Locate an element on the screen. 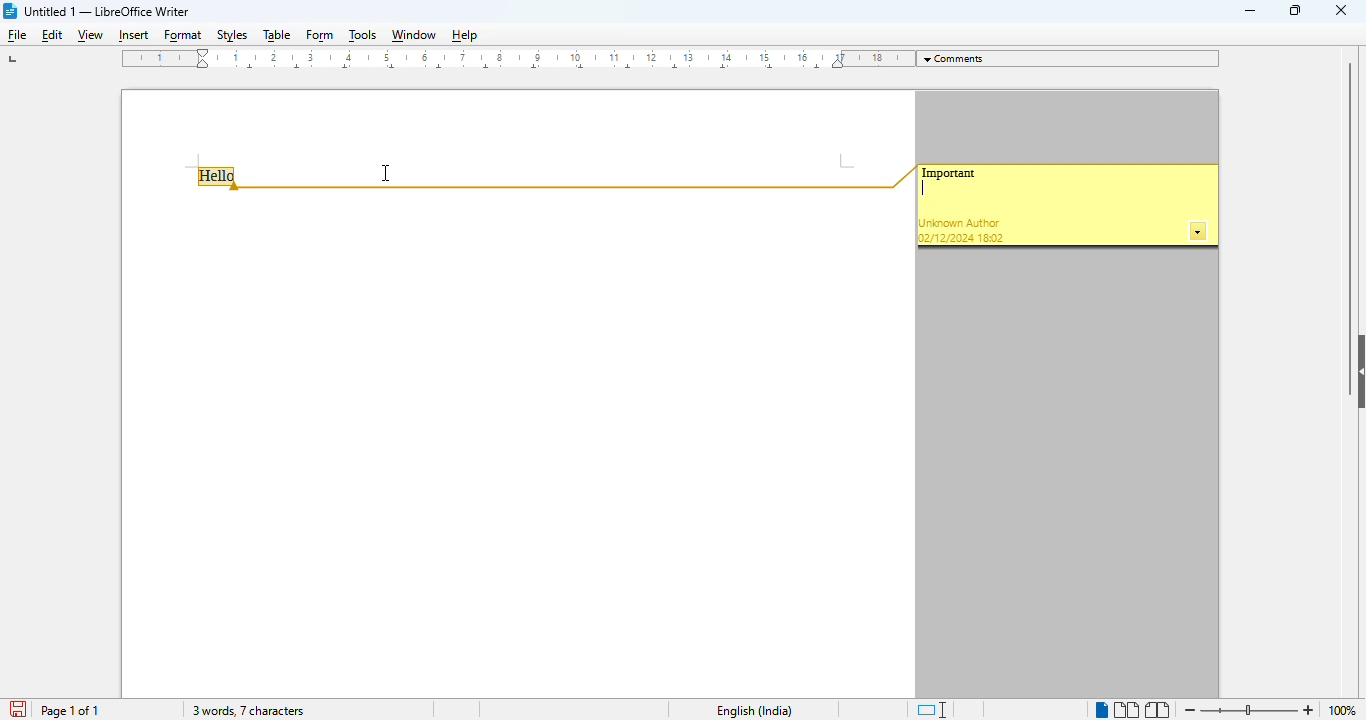 The image size is (1366, 720). file is located at coordinates (18, 36).